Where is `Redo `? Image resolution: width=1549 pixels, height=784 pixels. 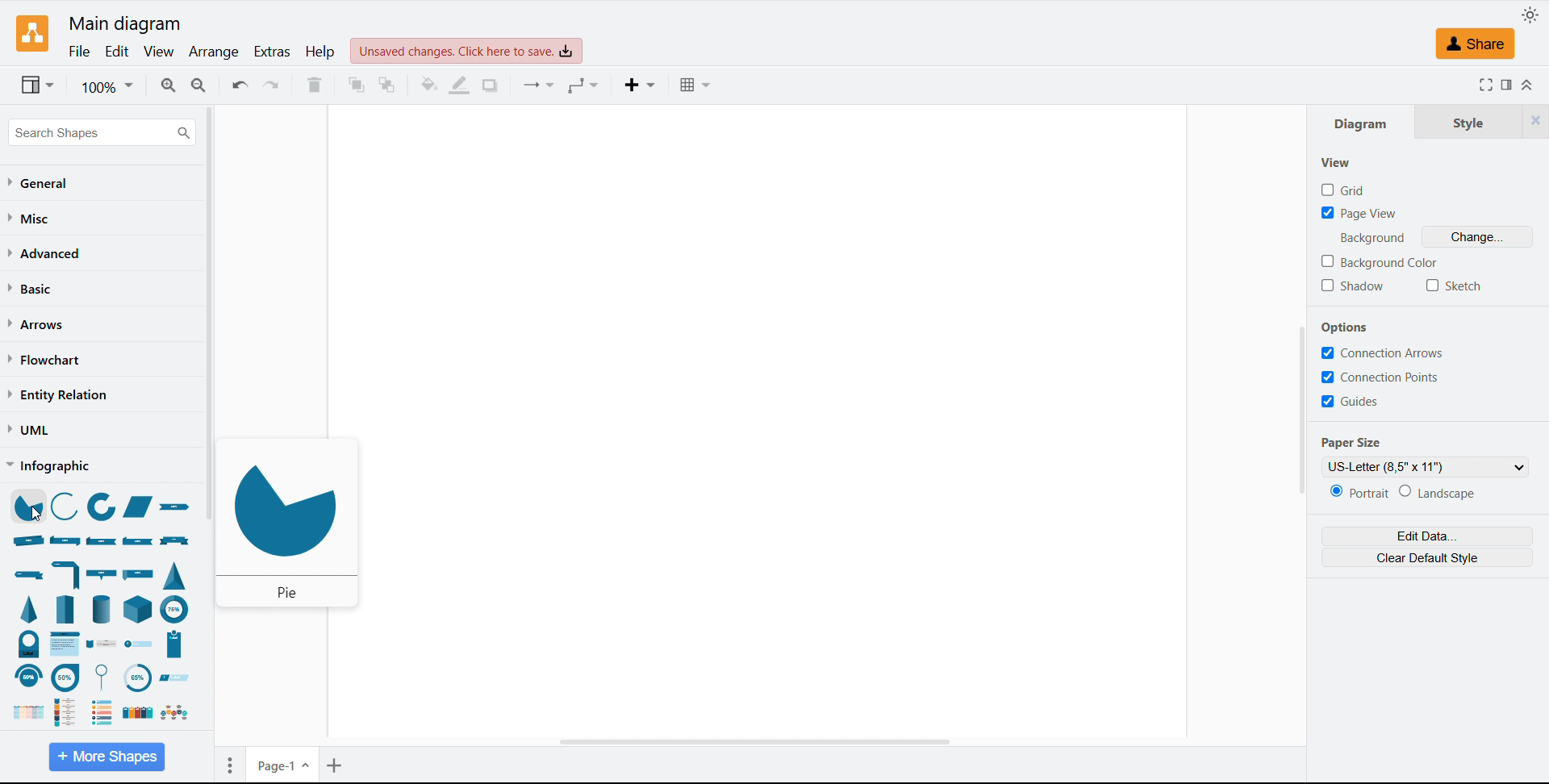
Redo  is located at coordinates (273, 85).